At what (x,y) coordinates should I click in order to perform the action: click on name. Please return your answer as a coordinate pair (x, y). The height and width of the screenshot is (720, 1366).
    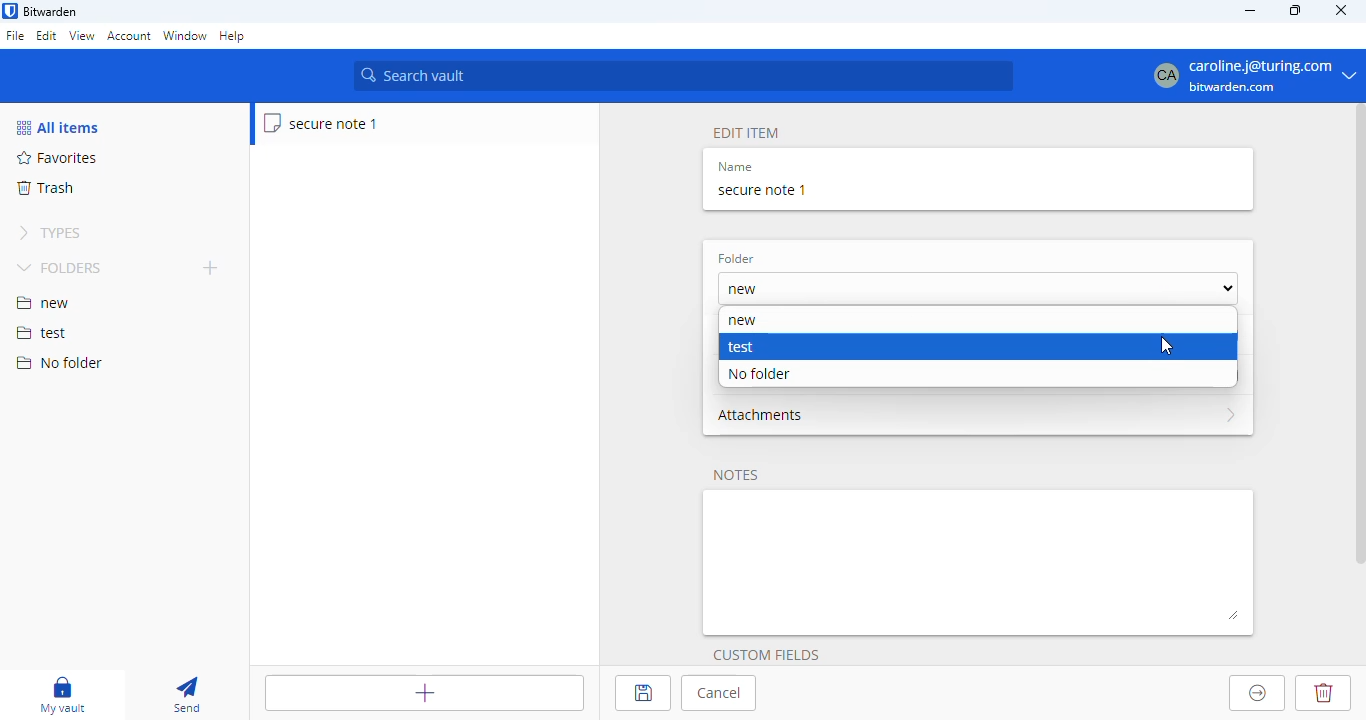
    Looking at the image, I should click on (735, 167).